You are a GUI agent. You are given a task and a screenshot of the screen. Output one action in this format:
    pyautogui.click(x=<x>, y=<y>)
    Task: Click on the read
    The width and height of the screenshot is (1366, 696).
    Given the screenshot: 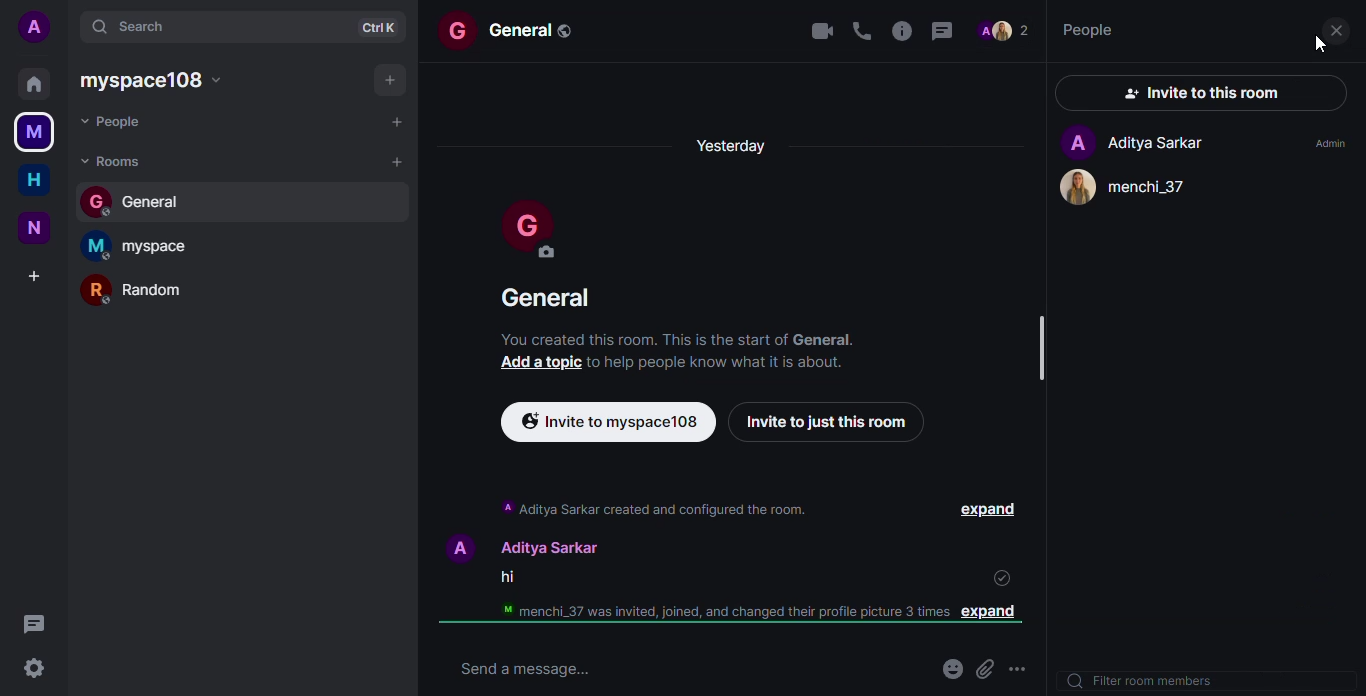 What is the action you would take?
    pyautogui.click(x=997, y=572)
    